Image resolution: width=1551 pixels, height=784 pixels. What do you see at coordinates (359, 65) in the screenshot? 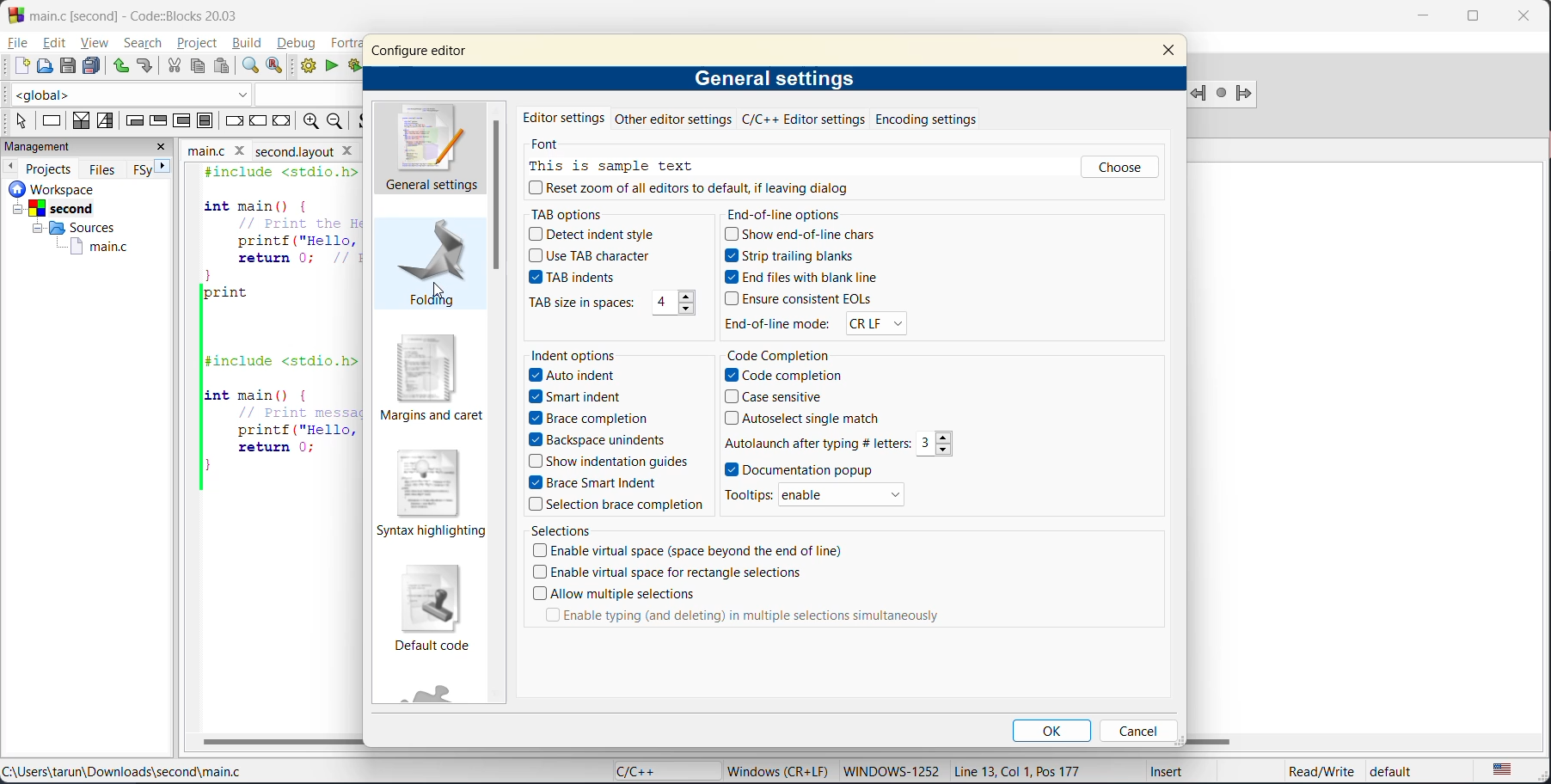
I see `build and run` at bounding box center [359, 65].